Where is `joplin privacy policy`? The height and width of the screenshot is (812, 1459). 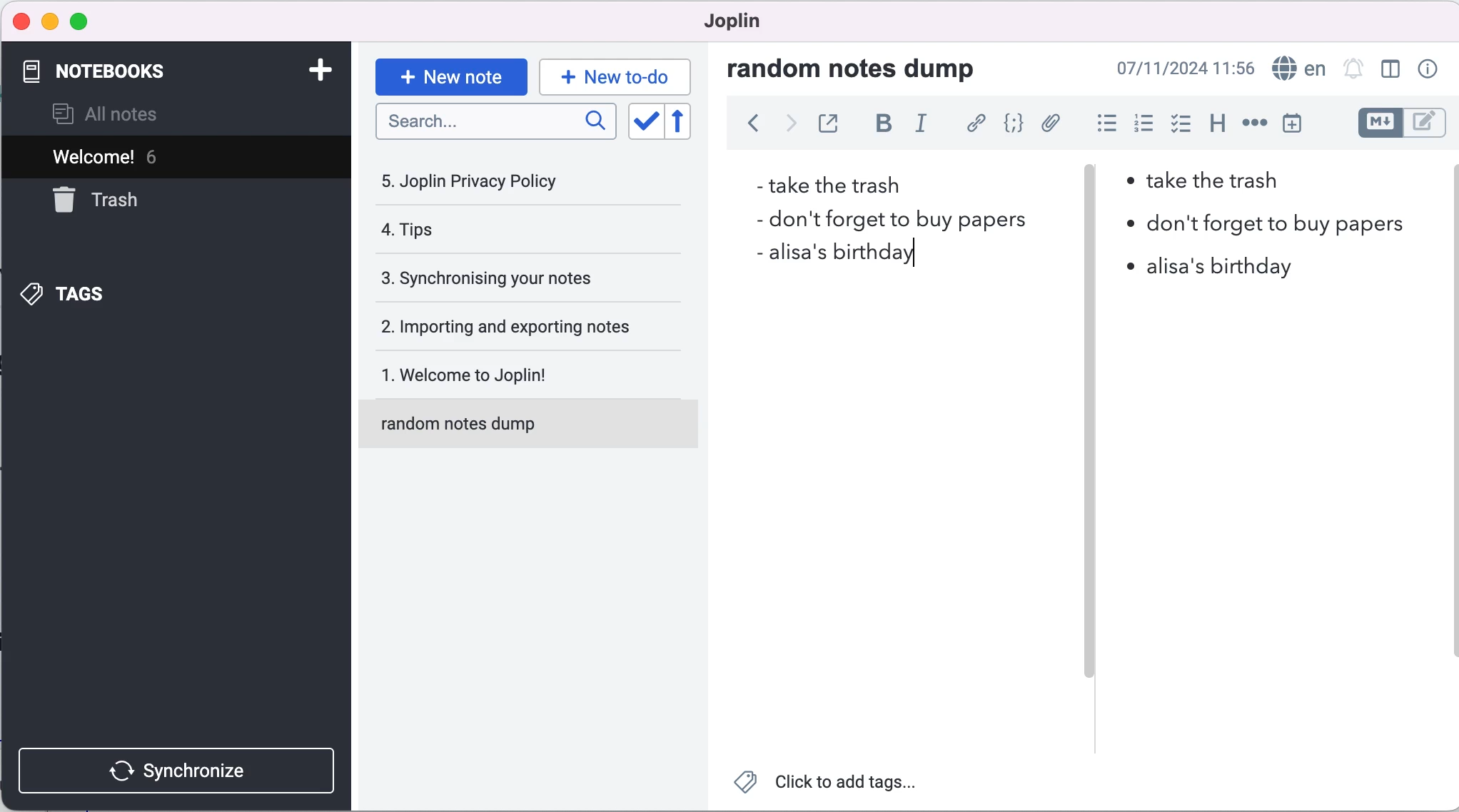
joplin privacy policy is located at coordinates (486, 181).